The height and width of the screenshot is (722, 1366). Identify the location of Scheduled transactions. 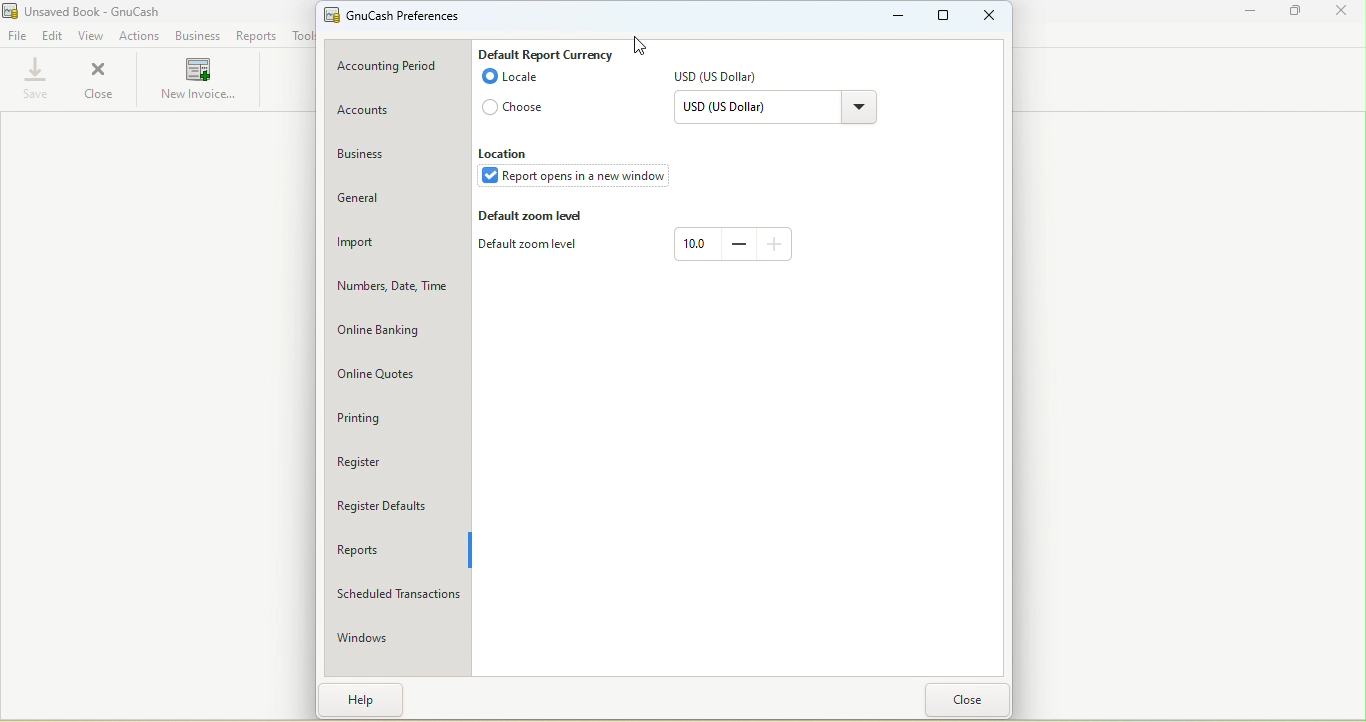
(396, 595).